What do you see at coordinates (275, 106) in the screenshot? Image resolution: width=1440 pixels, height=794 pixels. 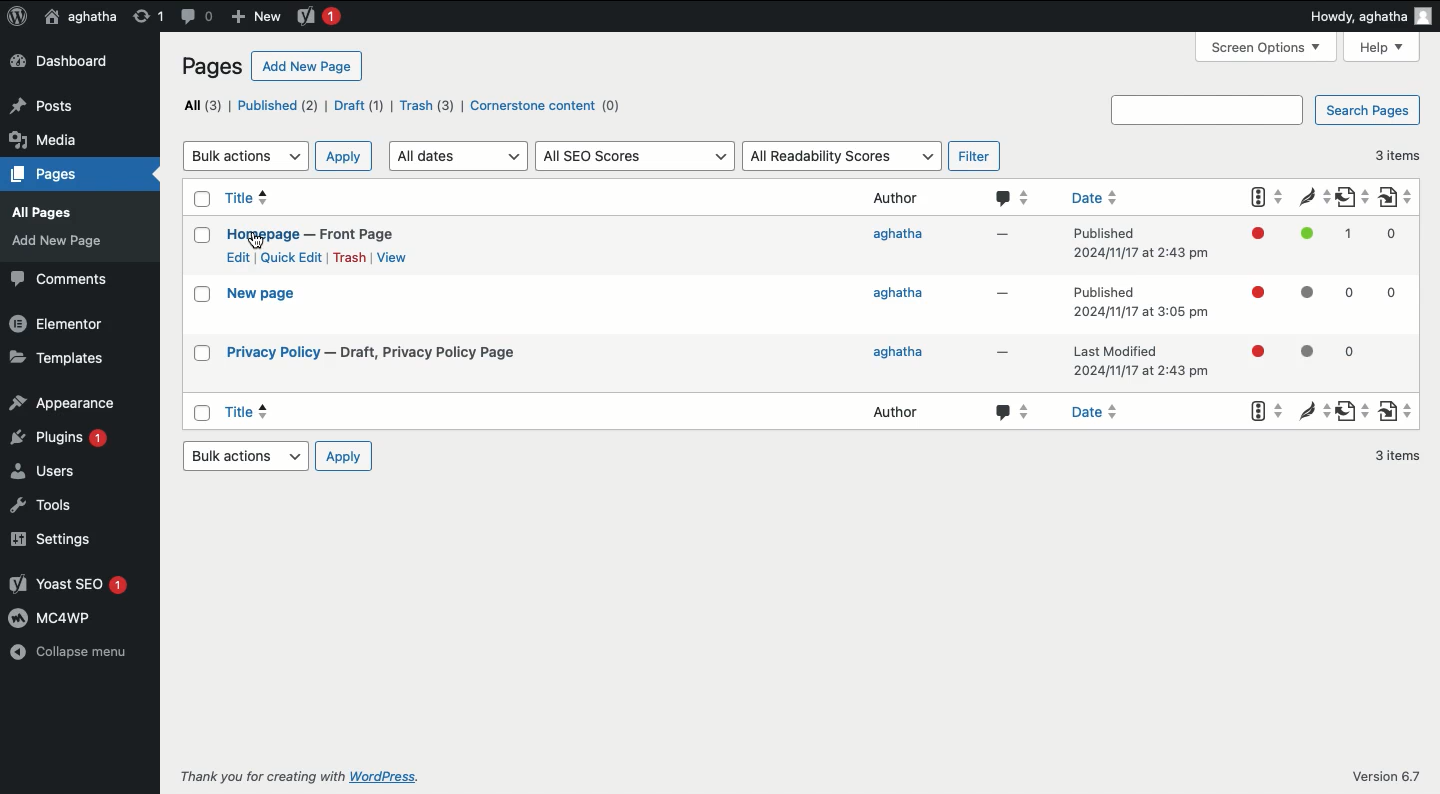 I see `Published` at bounding box center [275, 106].